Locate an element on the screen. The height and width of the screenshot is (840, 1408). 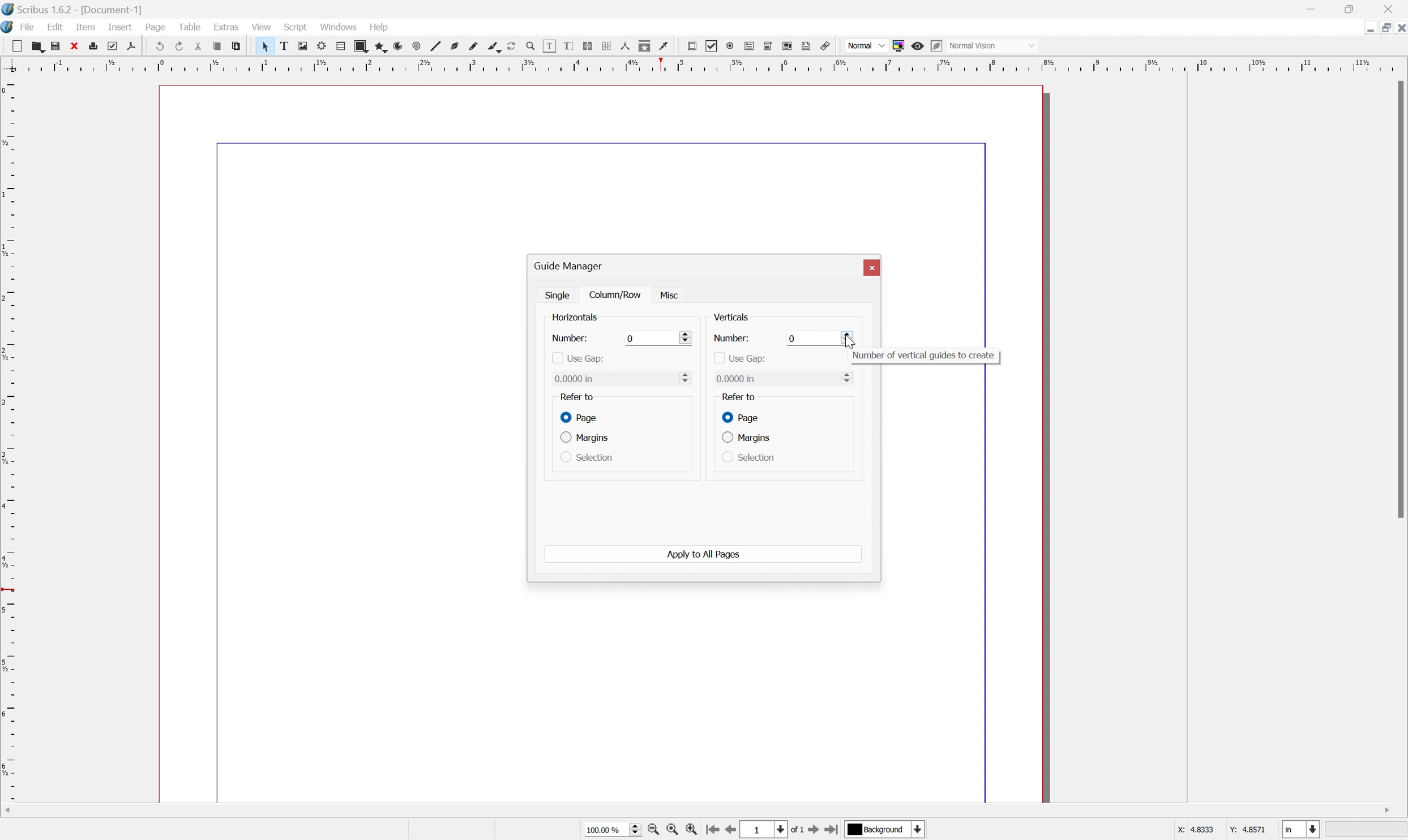
select current layer is located at coordinates (883, 829).